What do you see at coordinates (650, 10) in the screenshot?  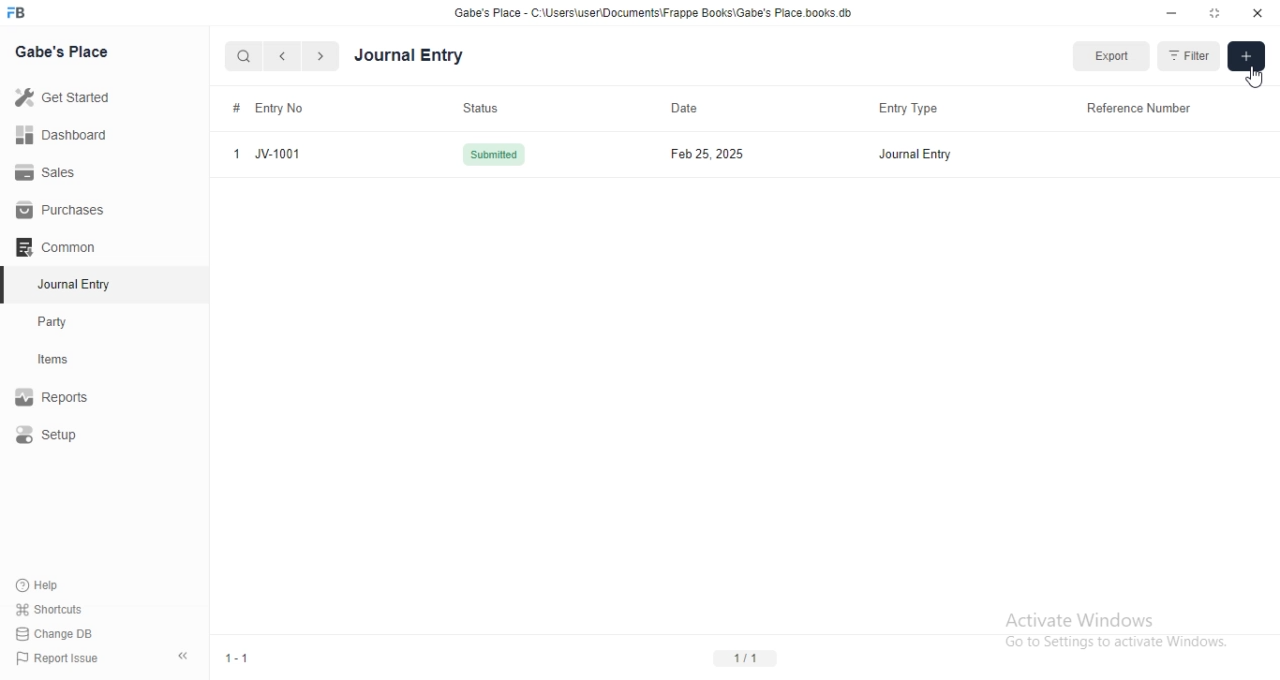 I see `‘Gabe's Place - C\Users\useriDocuments\Frappe Books\Gabe's Place books. db` at bounding box center [650, 10].